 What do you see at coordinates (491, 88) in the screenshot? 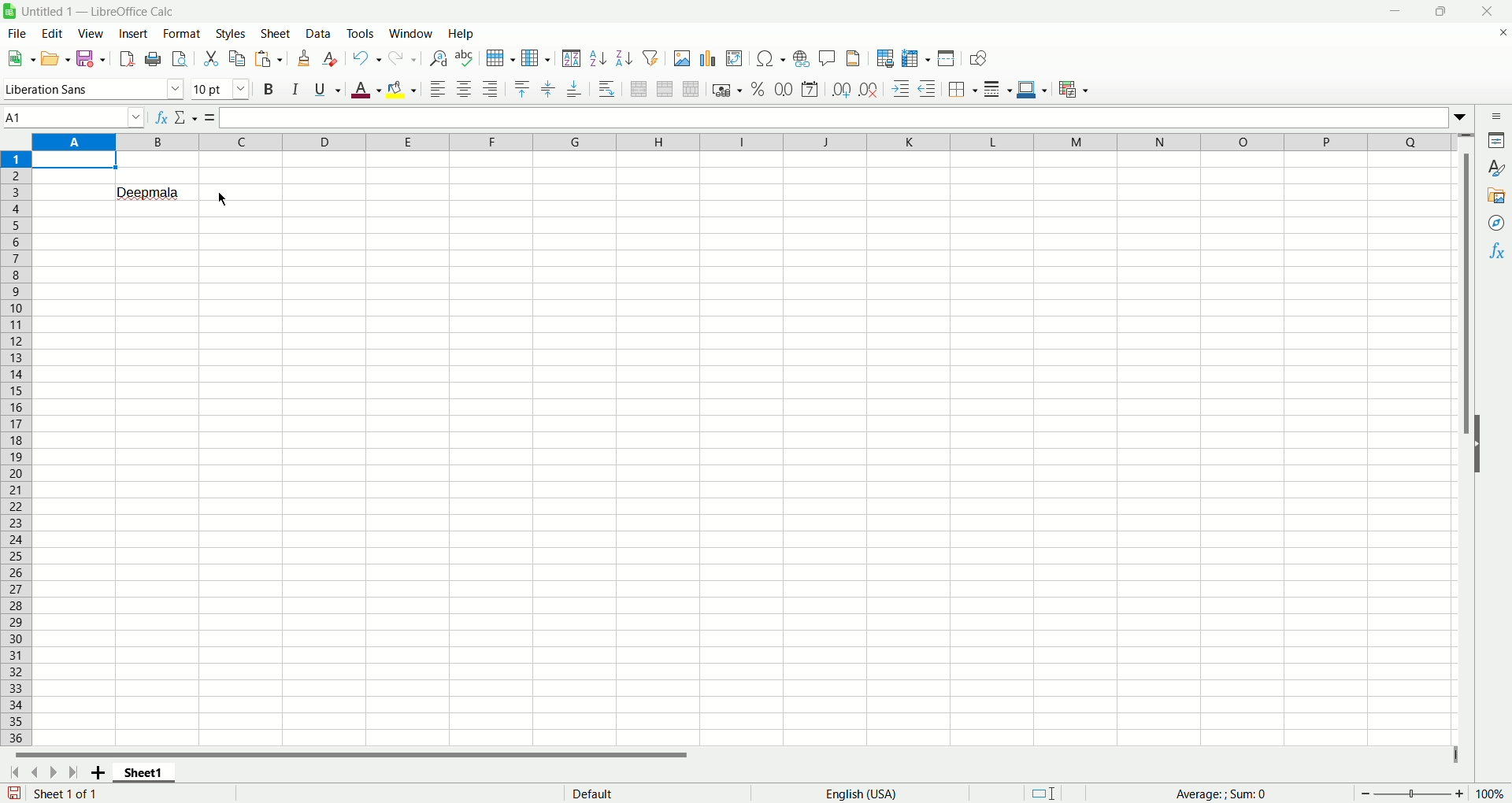
I see `align right` at bounding box center [491, 88].